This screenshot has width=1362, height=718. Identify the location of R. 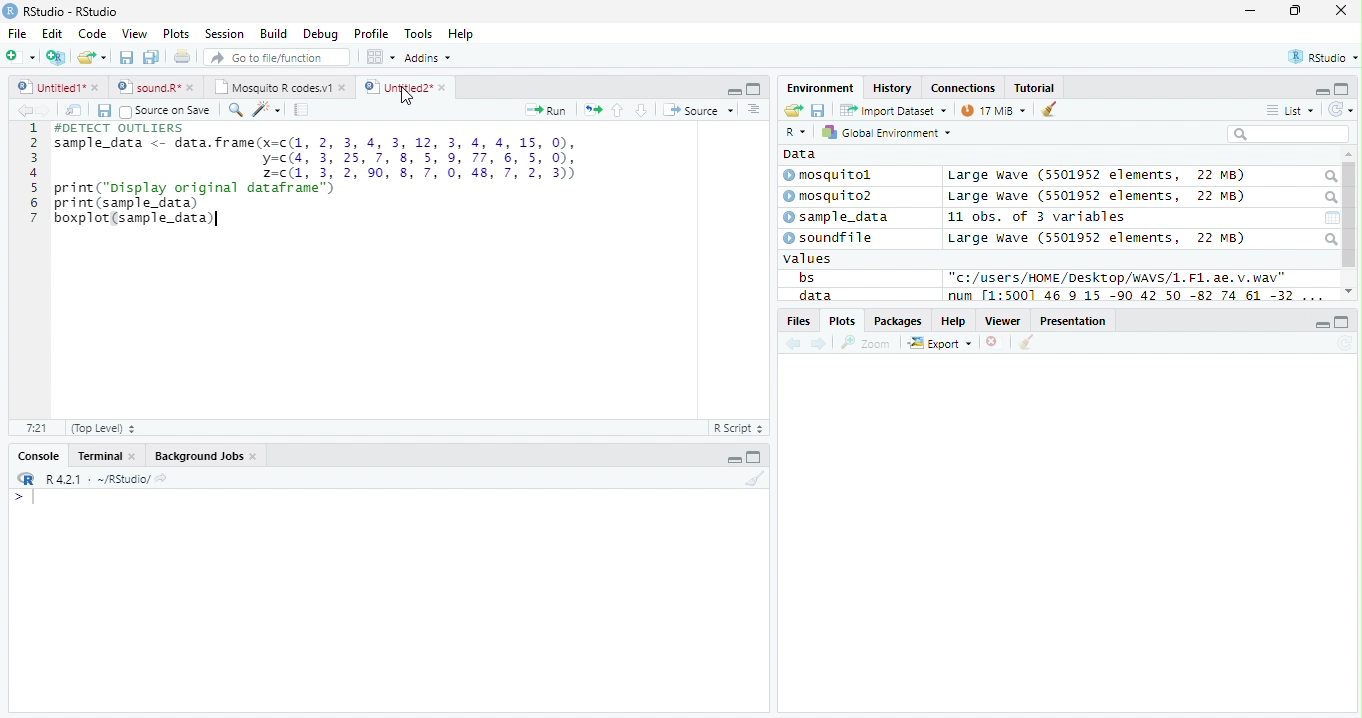
(798, 132).